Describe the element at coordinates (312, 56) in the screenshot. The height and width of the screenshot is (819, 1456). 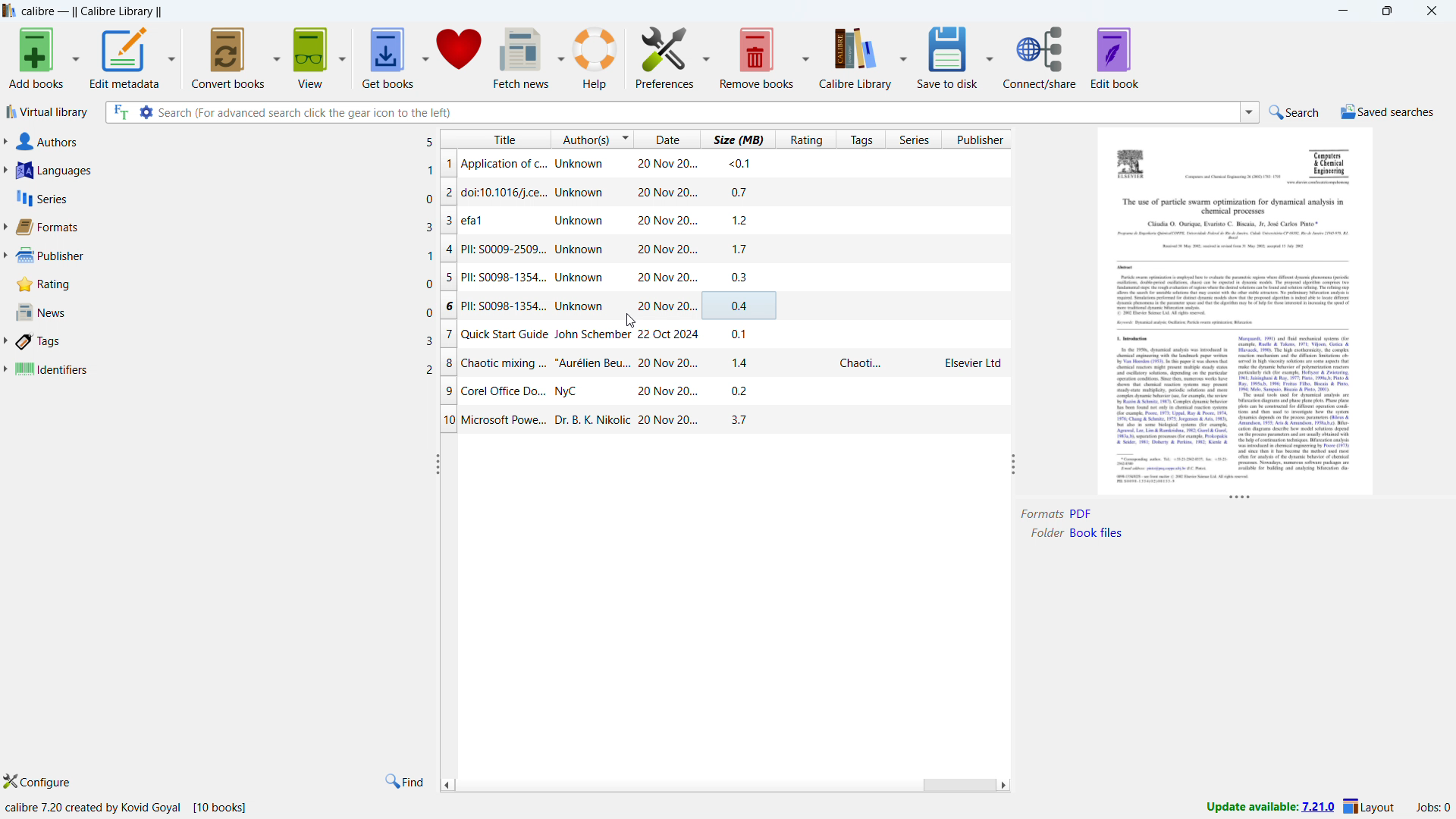
I see `view` at that location.